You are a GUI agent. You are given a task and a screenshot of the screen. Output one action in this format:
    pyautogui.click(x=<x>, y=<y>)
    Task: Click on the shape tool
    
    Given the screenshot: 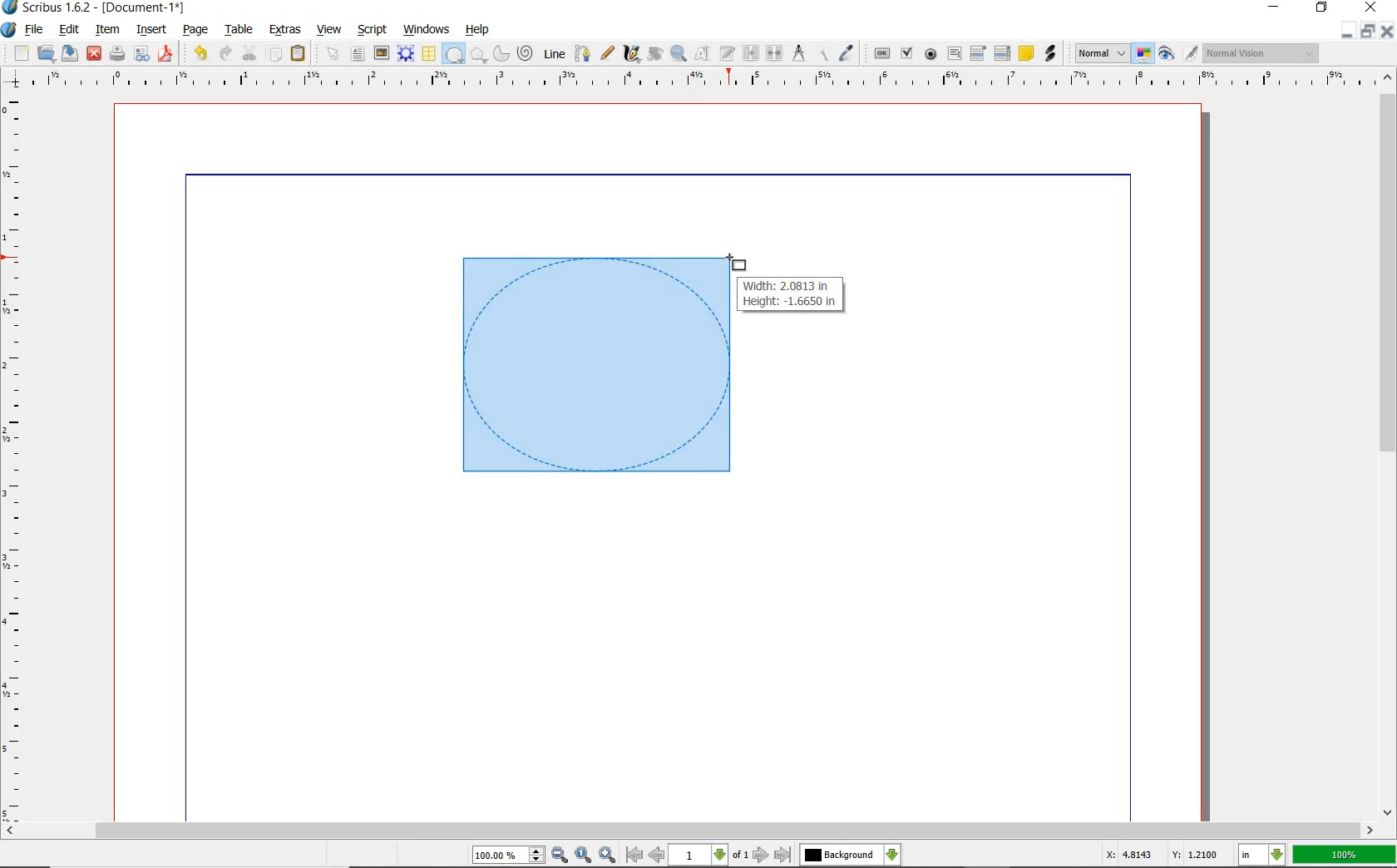 What is the action you would take?
    pyautogui.click(x=737, y=261)
    